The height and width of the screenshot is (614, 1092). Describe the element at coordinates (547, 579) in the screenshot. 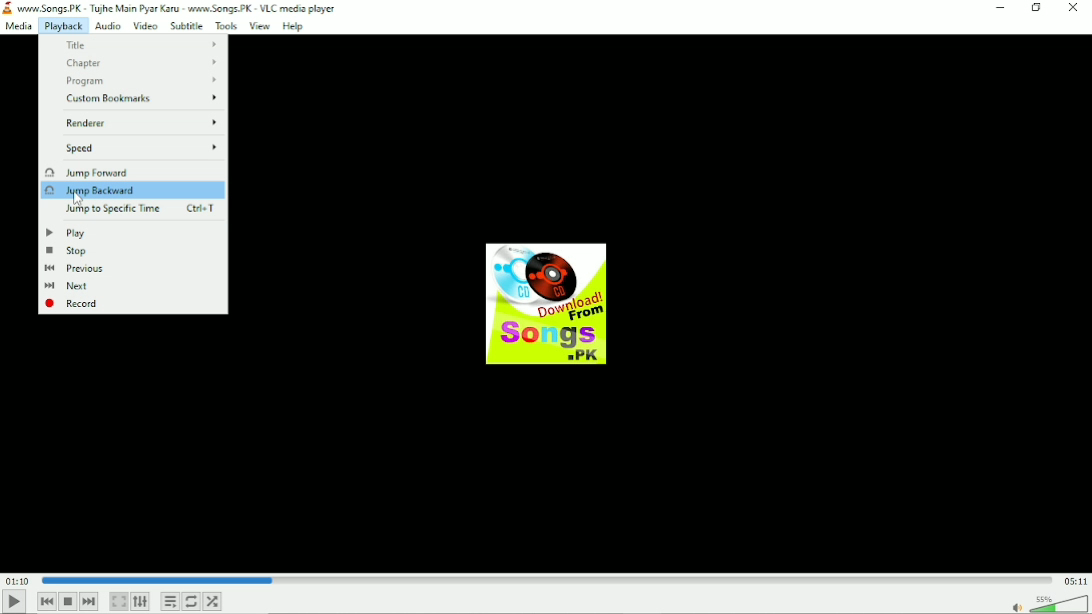

I see `Play duration` at that location.